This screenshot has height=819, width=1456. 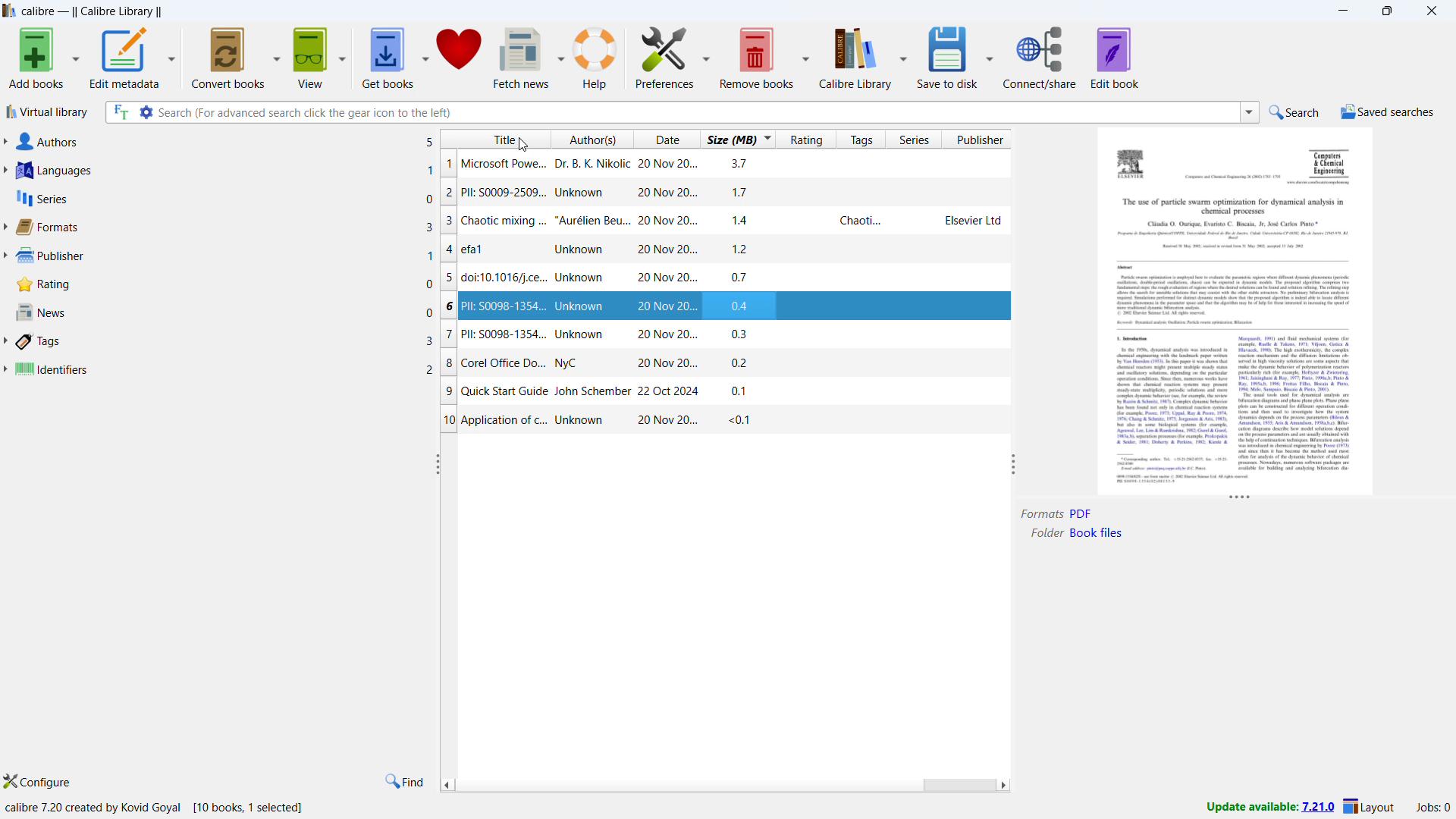 I want to click on get books options, so click(x=422, y=55).